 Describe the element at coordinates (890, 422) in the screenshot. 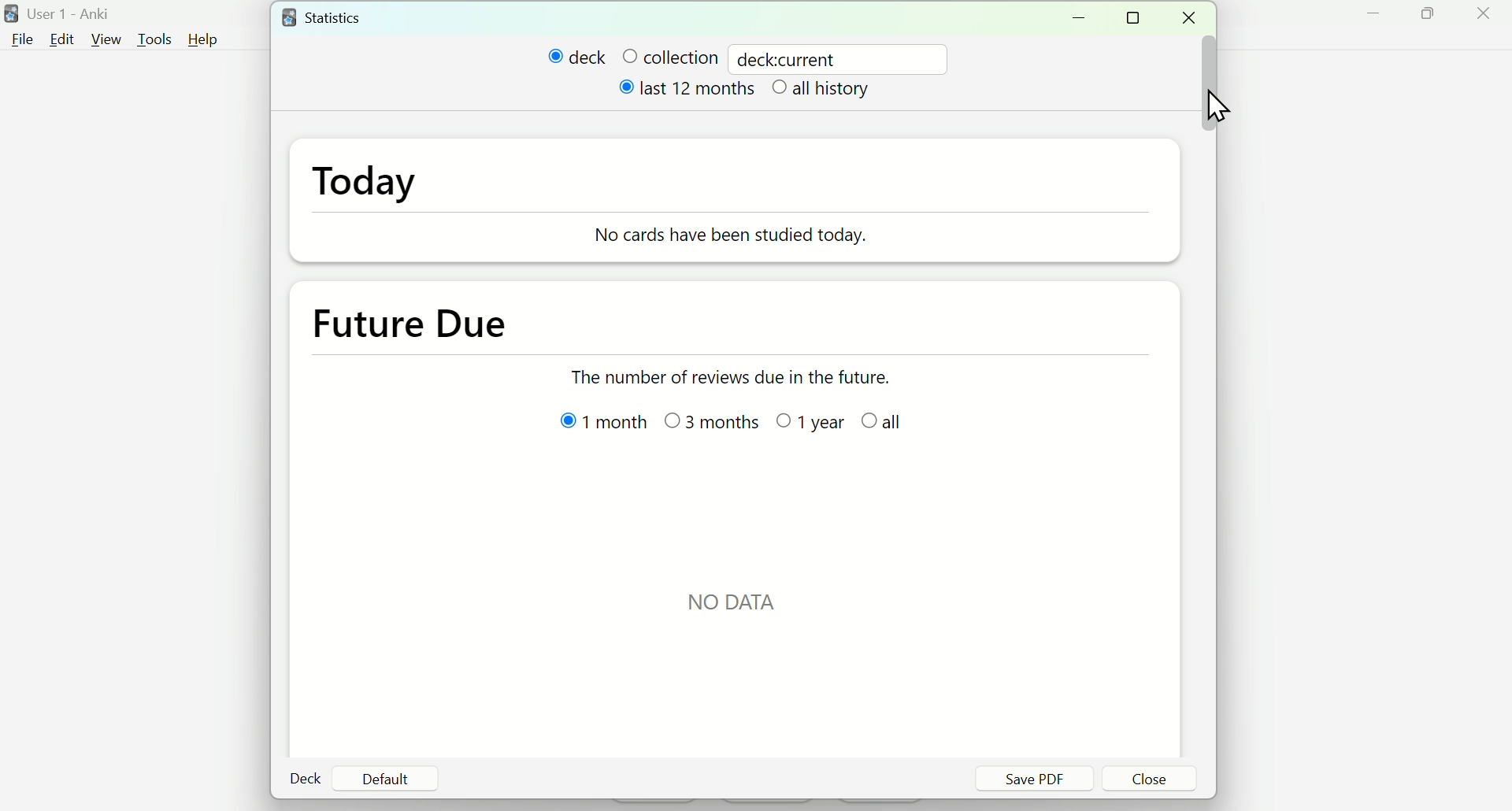

I see `all` at that location.